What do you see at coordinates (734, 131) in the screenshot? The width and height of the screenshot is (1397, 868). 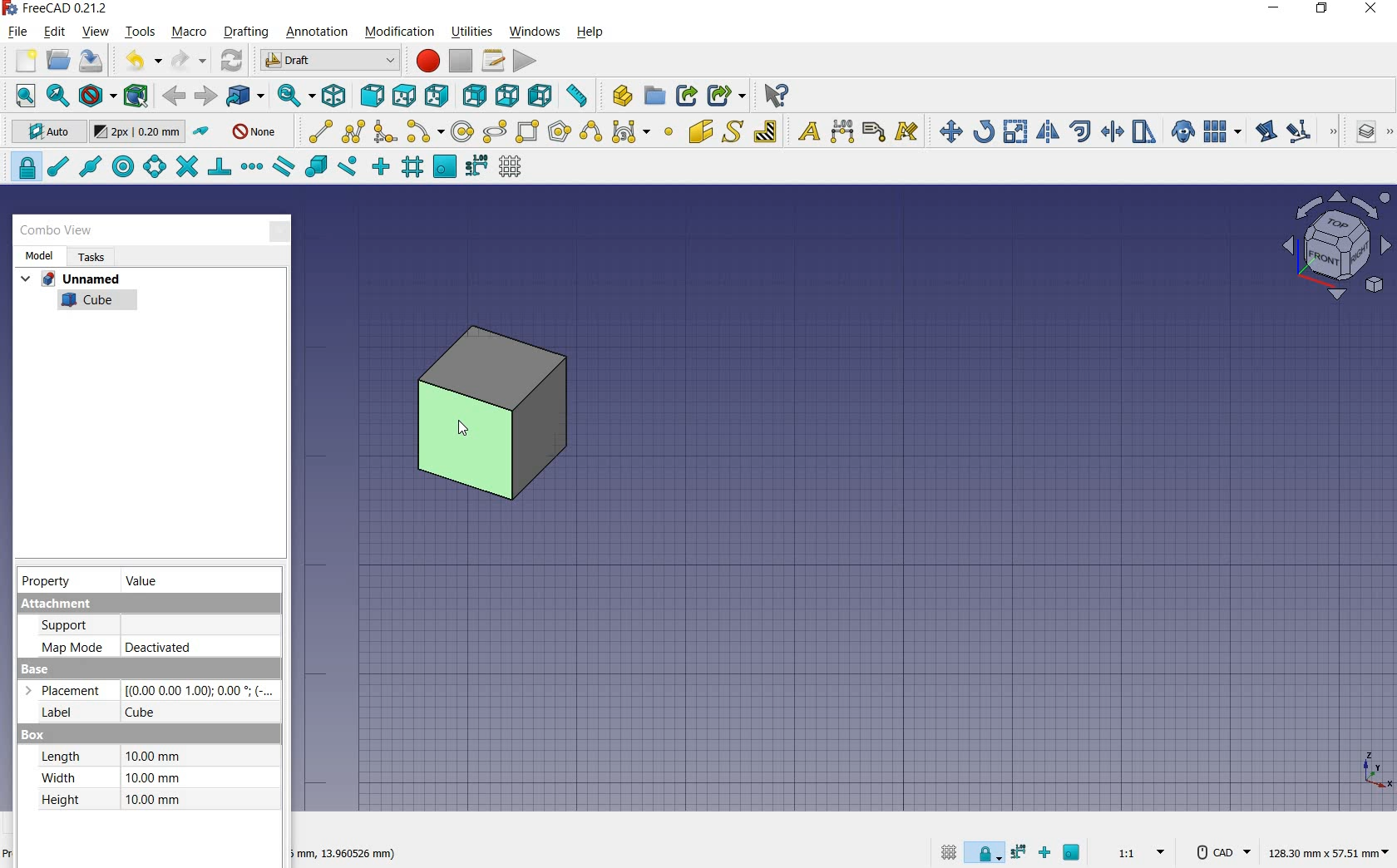 I see `shape from text` at bounding box center [734, 131].